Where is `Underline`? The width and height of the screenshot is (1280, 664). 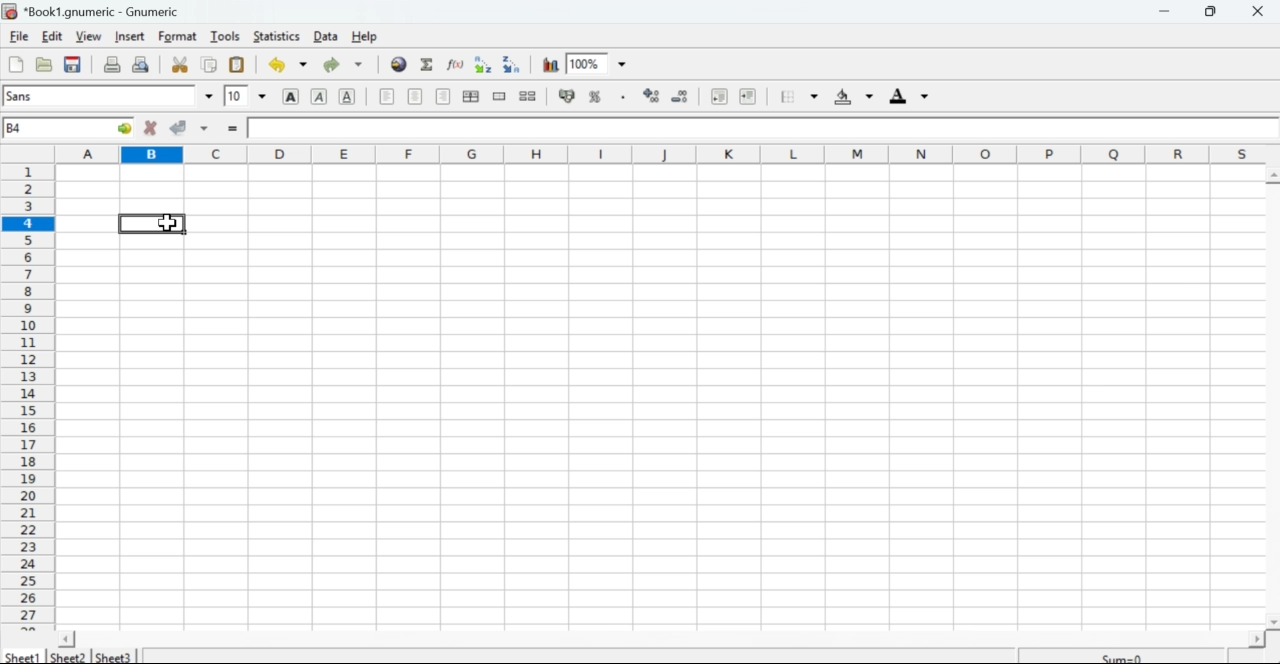 Underline is located at coordinates (349, 96).